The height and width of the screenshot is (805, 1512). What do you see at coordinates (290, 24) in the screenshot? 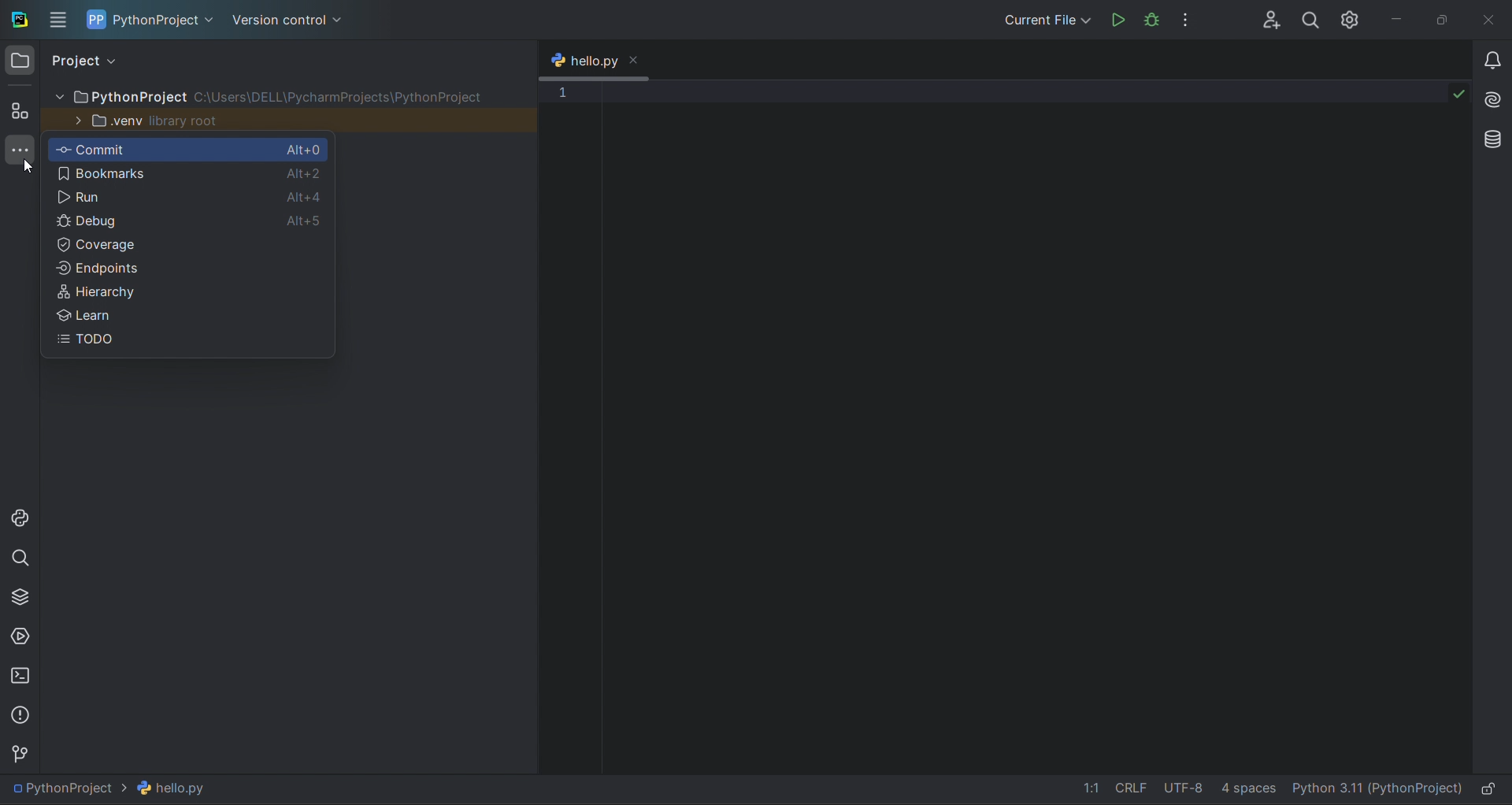
I see `version control` at bounding box center [290, 24].